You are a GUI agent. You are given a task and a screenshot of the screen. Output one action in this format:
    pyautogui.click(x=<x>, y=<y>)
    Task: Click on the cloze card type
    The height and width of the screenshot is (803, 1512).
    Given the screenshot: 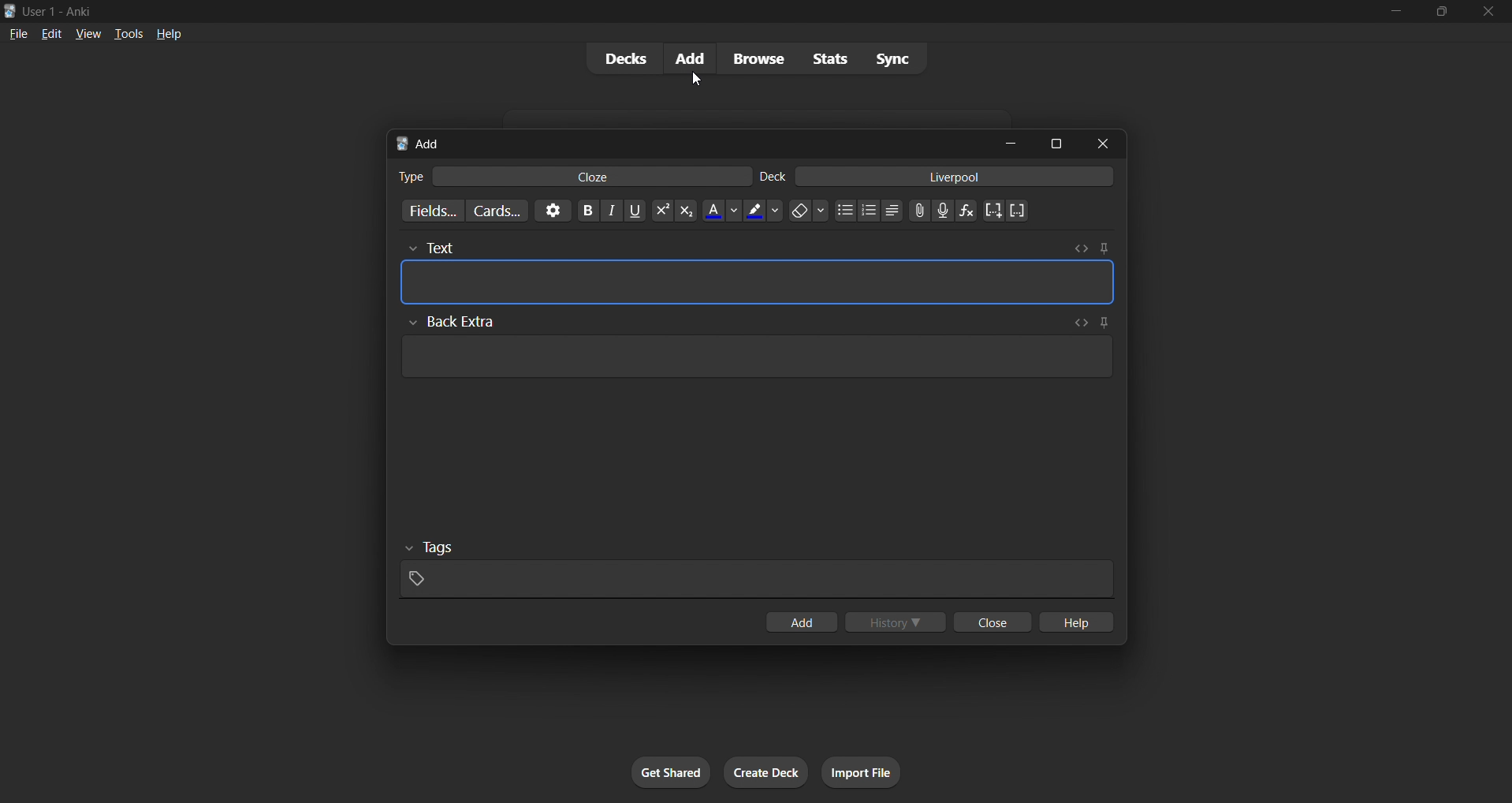 What is the action you would take?
    pyautogui.click(x=594, y=177)
    